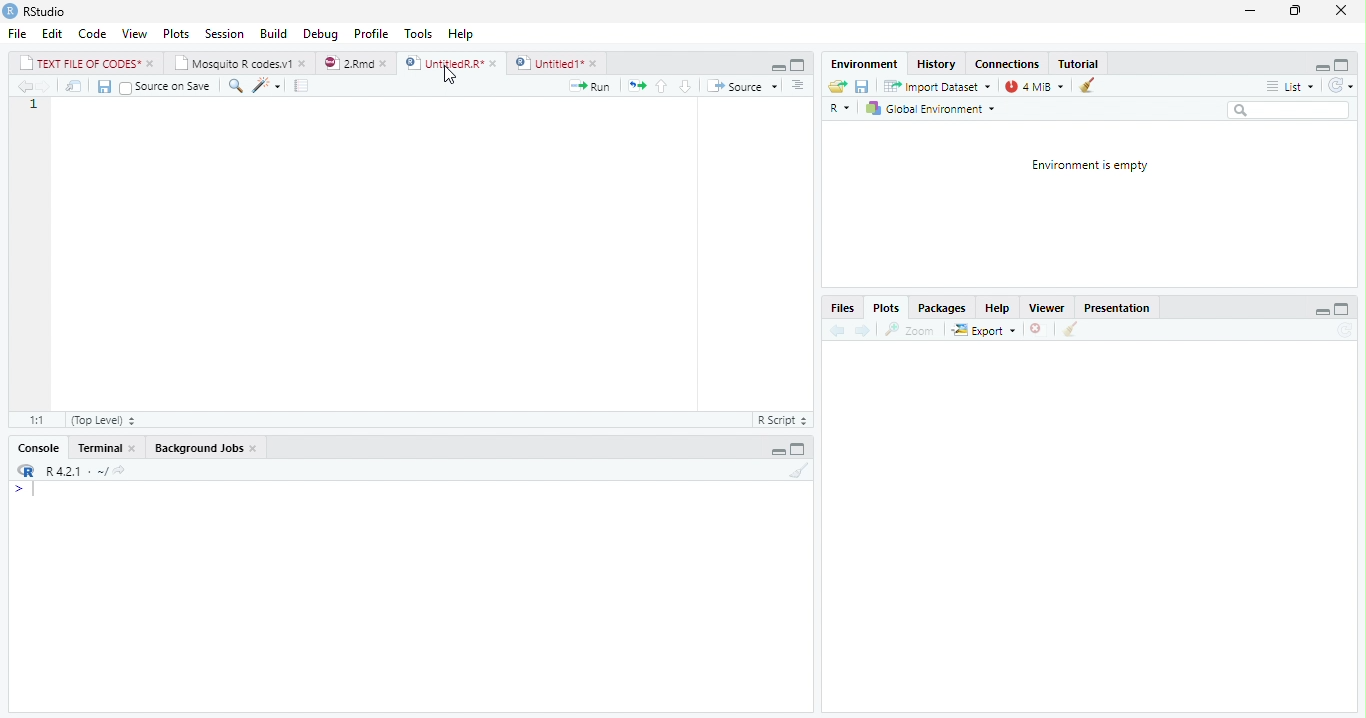 This screenshot has width=1366, height=718. What do you see at coordinates (838, 107) in the screenshot?
I see `R` at bounding box center [838, 107].